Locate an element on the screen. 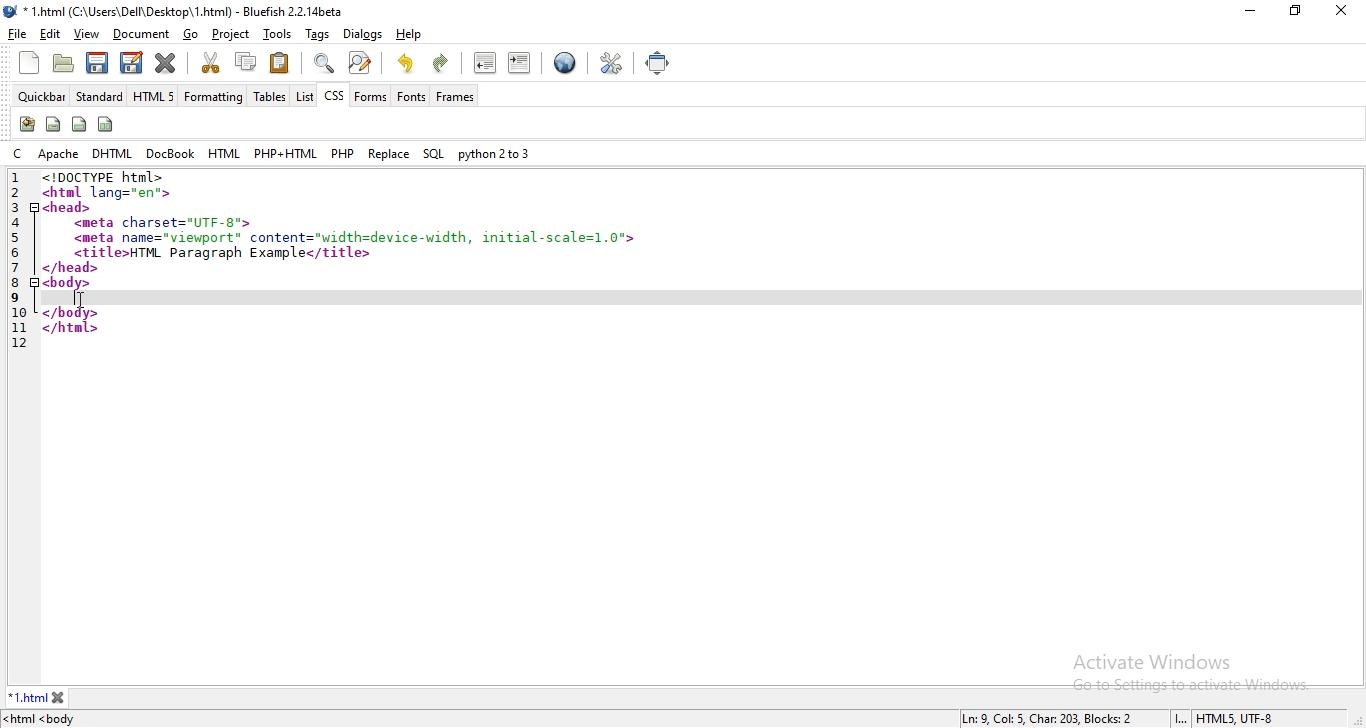 This screenshot has height=728, width=1366. Go to settings to activate windows. is located at coordinates (1193, 685).